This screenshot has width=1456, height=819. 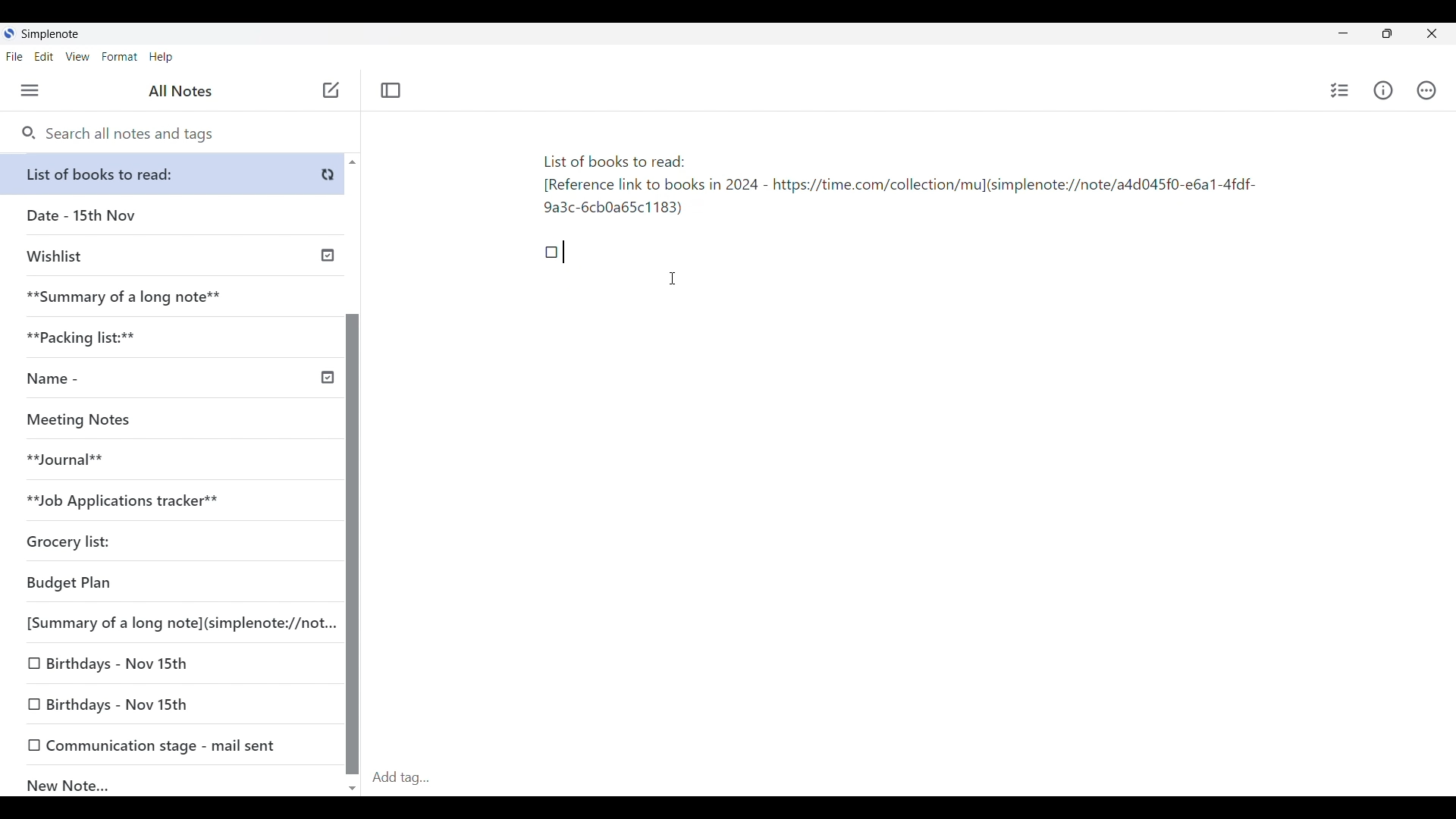 What do you see at coordinates (177, 623) in the screenshot?
I see `[Summary of a long note](simplenote://not...` at bounding box center [177, 623].